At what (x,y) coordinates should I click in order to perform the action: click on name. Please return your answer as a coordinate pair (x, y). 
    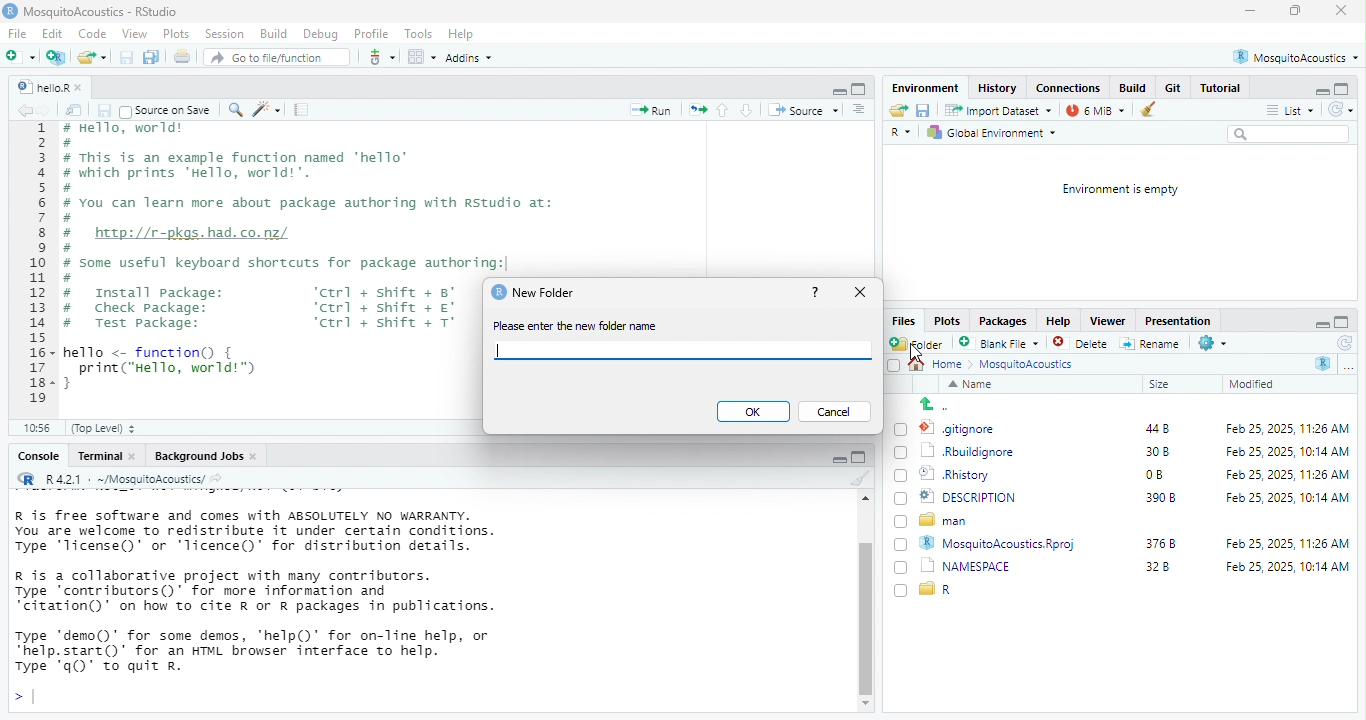
    Looking at the image, I should click on (972, 385).